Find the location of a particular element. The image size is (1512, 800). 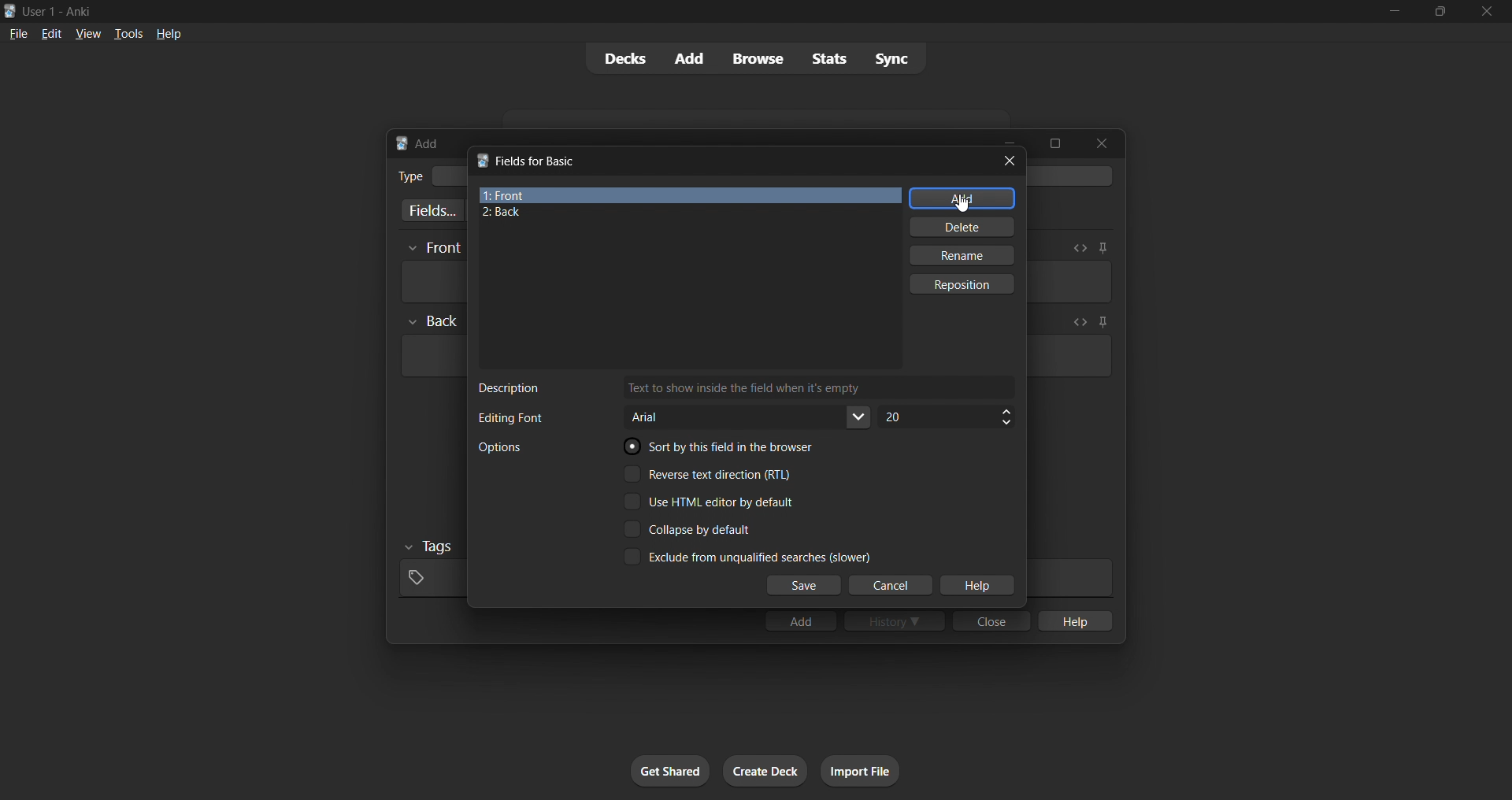

history is located at coordinates (895, 620).